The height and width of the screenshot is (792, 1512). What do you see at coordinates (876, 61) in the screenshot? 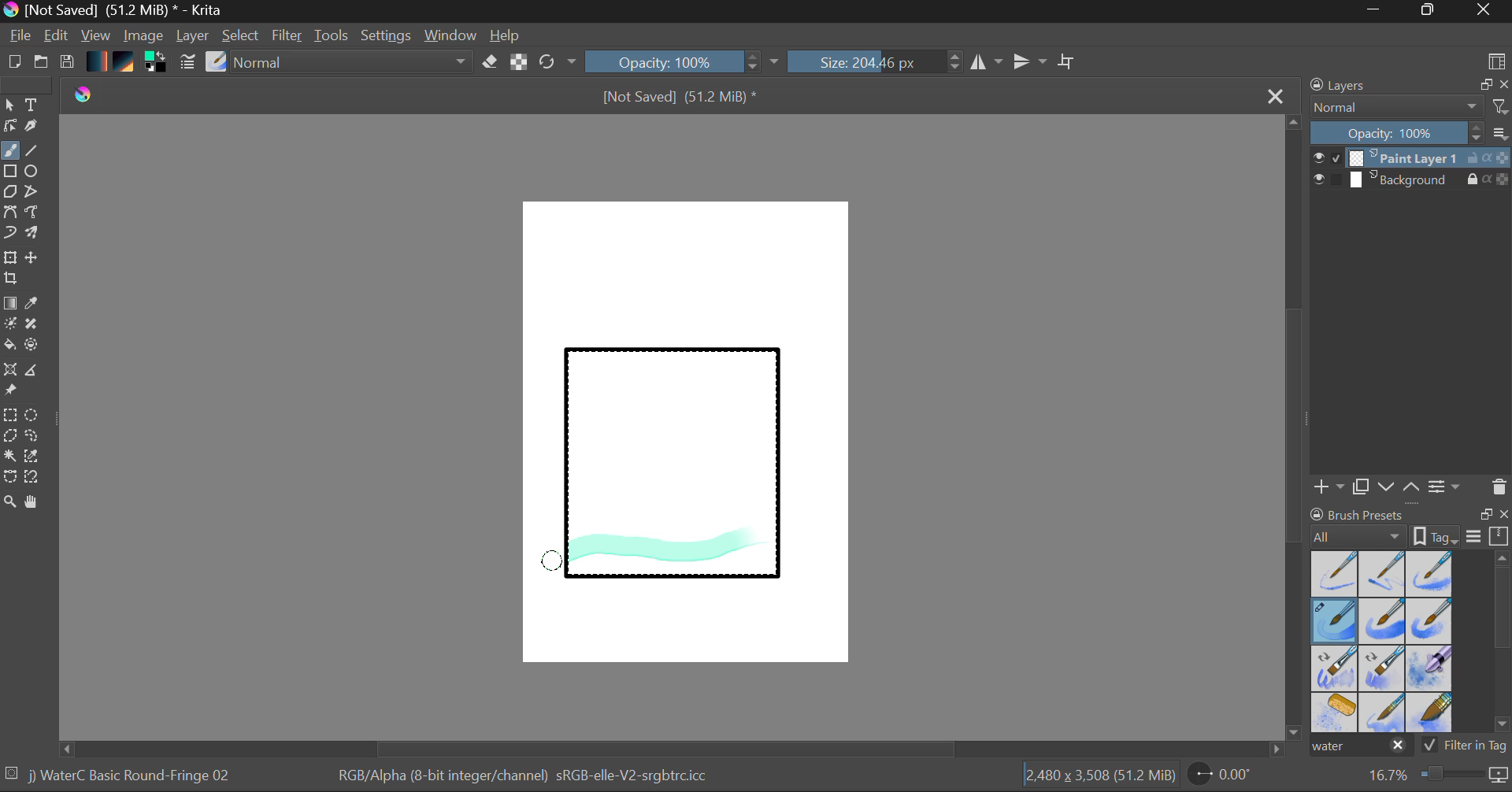
I see `Brush Size` at bounding box center [876, 61].